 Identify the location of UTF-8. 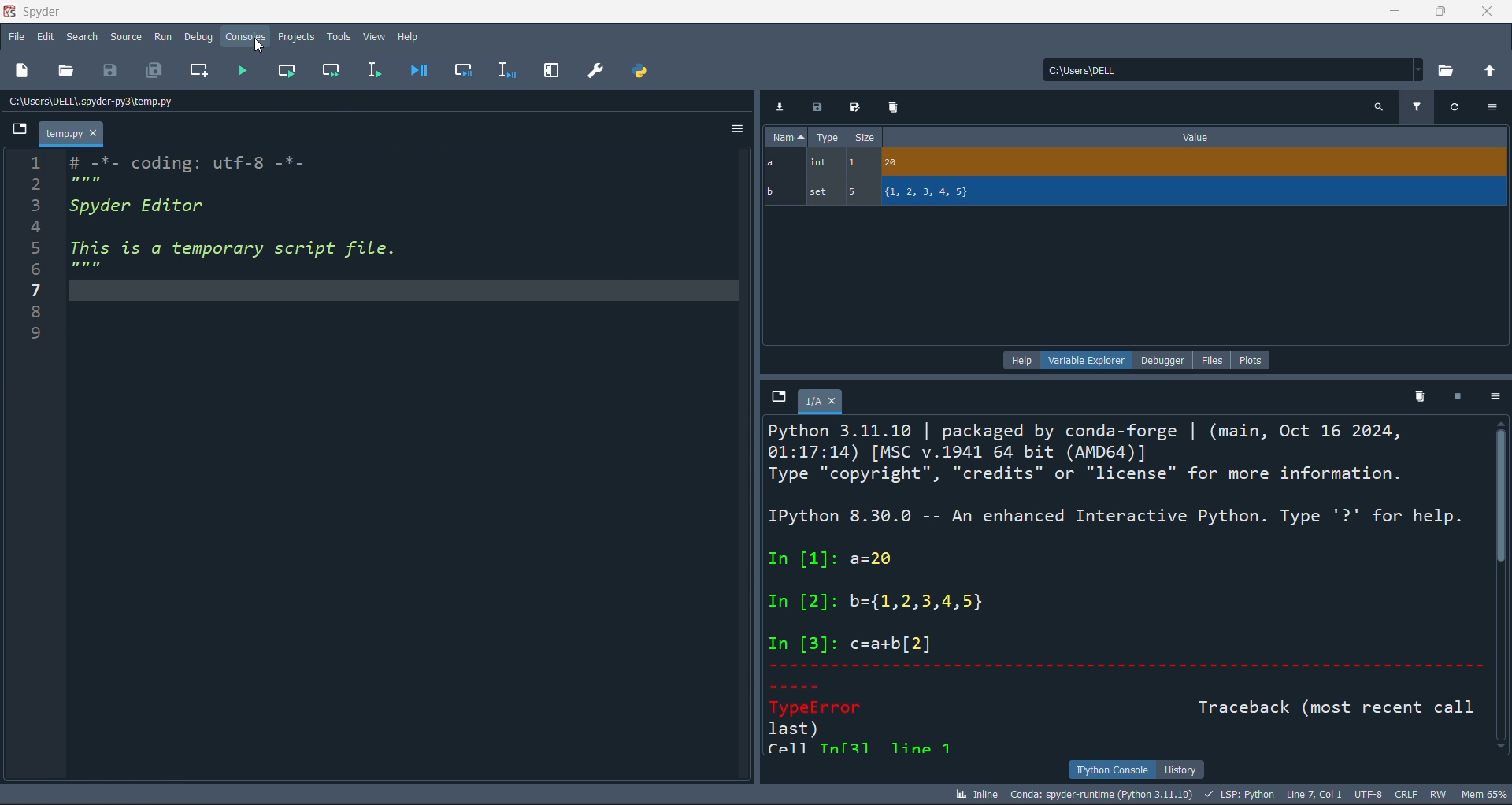
(1369, 793).